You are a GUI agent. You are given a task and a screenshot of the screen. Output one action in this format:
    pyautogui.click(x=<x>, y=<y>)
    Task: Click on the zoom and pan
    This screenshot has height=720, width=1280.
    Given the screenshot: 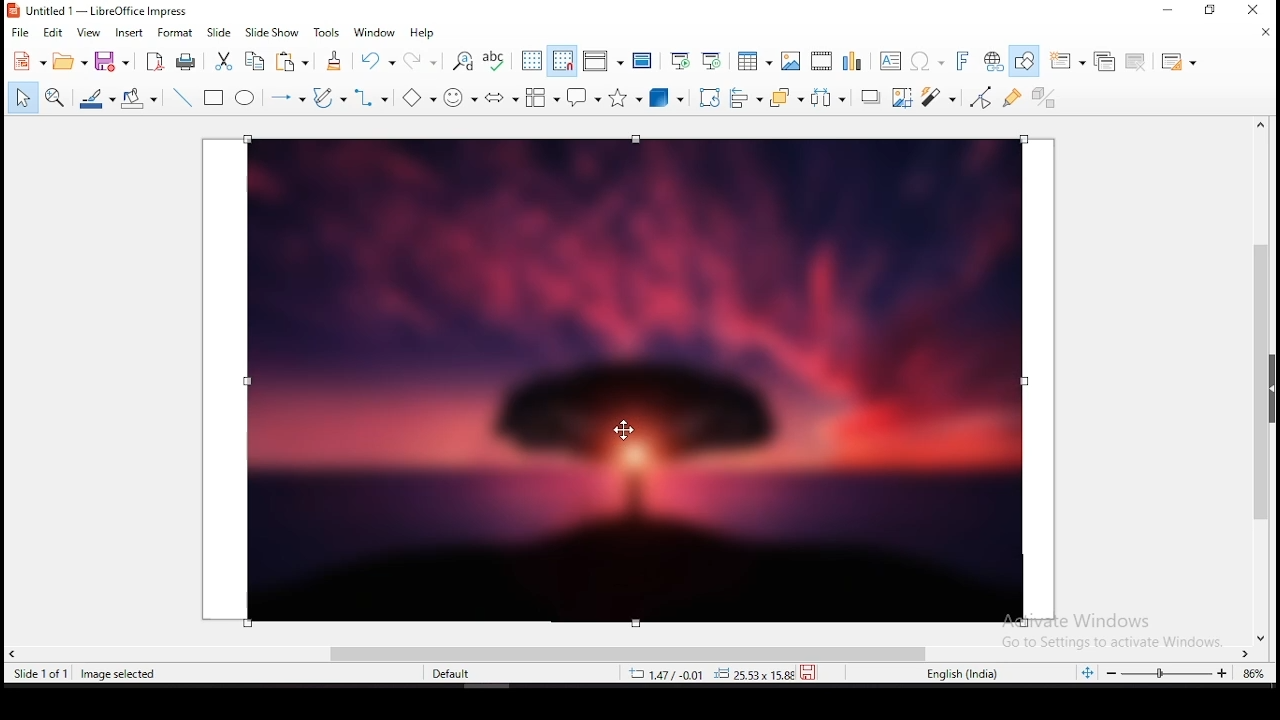 What is the action you would take?
    pyautogui.click(x=59, y=99)
    